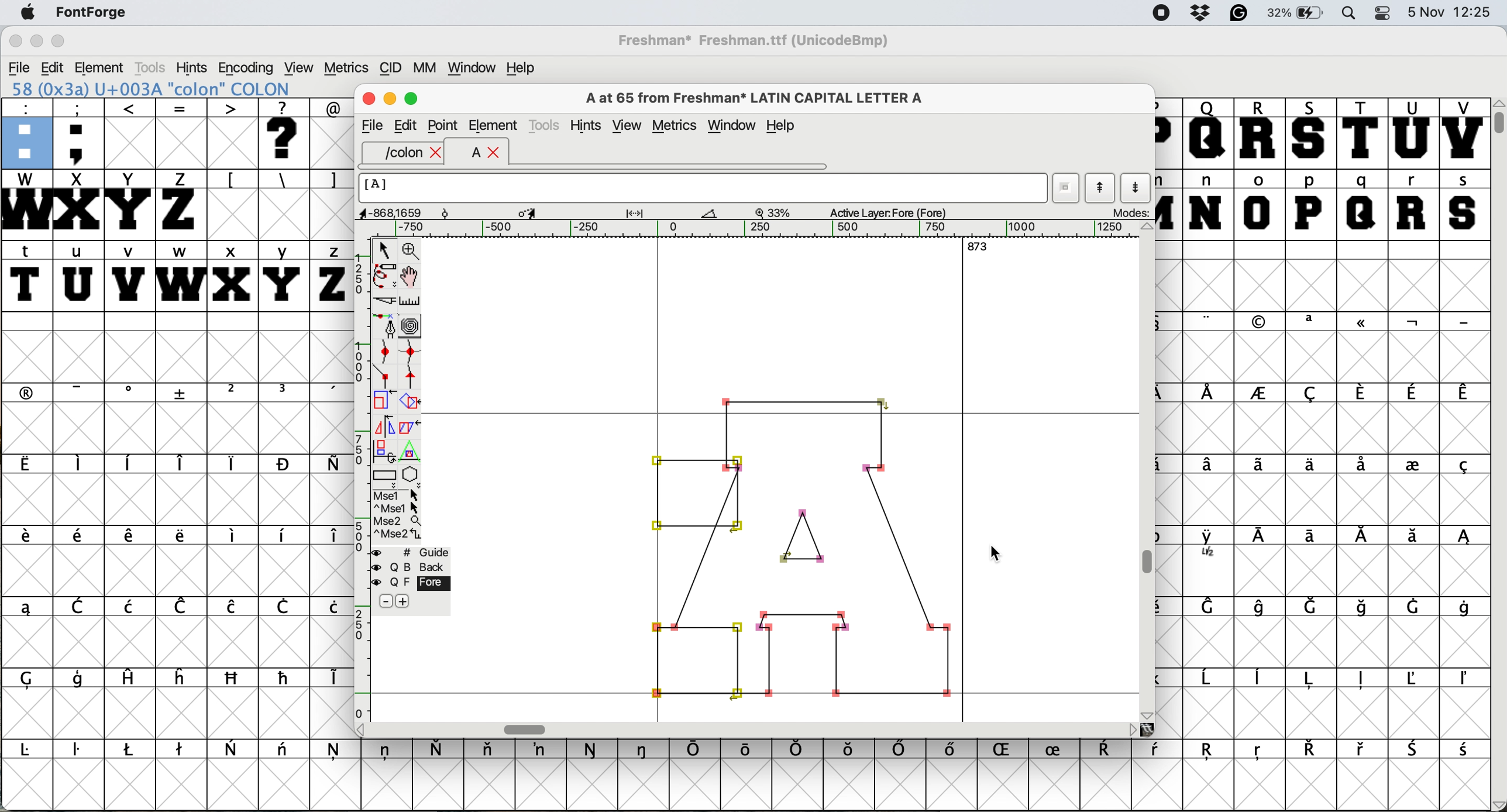  What do you see at coordinates (35, 41) in the screenshot?
I see `minimise` at bounding box center [35, 41].